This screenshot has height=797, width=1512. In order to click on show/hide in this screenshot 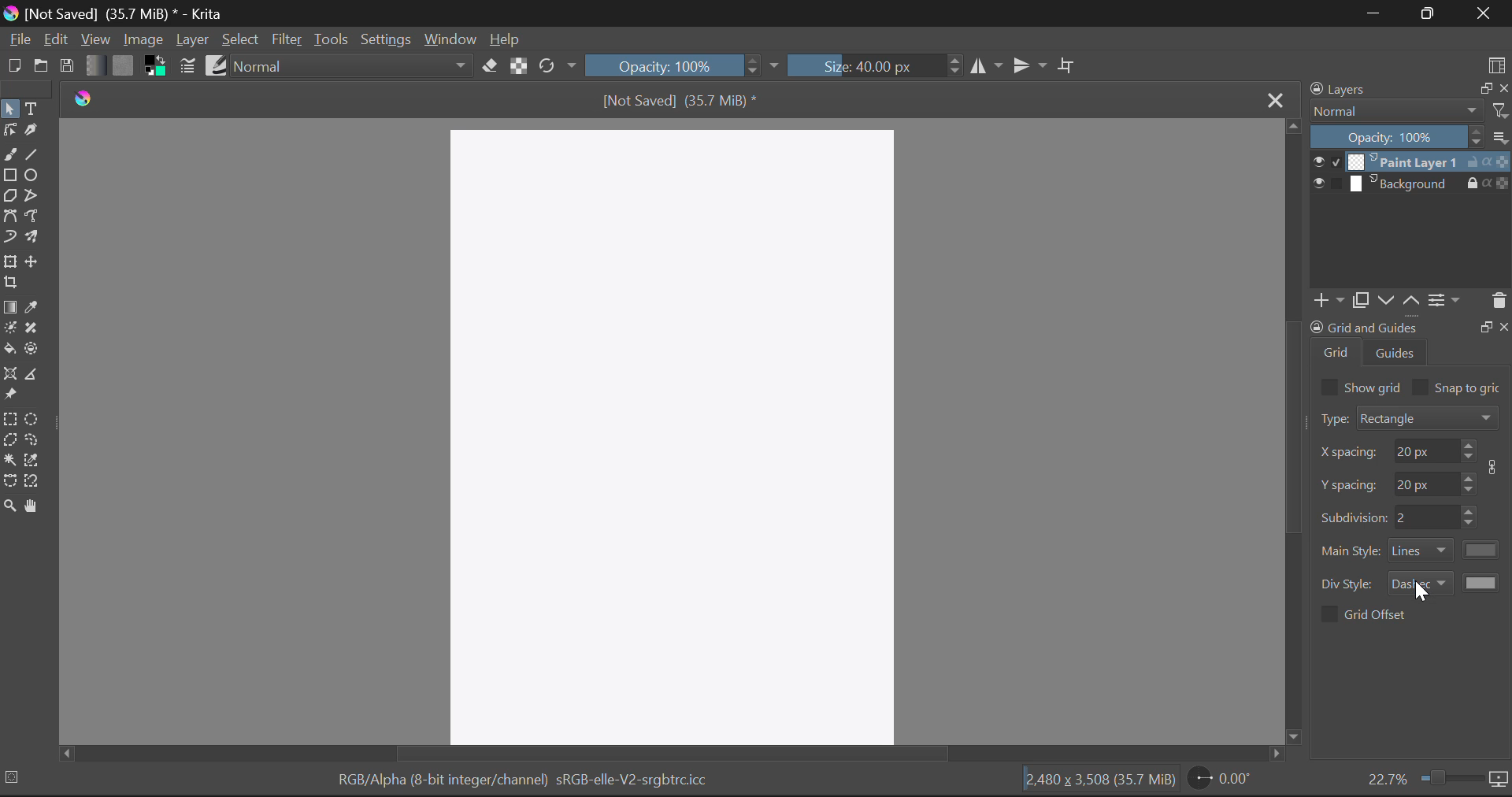, I will do `click(1326, 183)`.